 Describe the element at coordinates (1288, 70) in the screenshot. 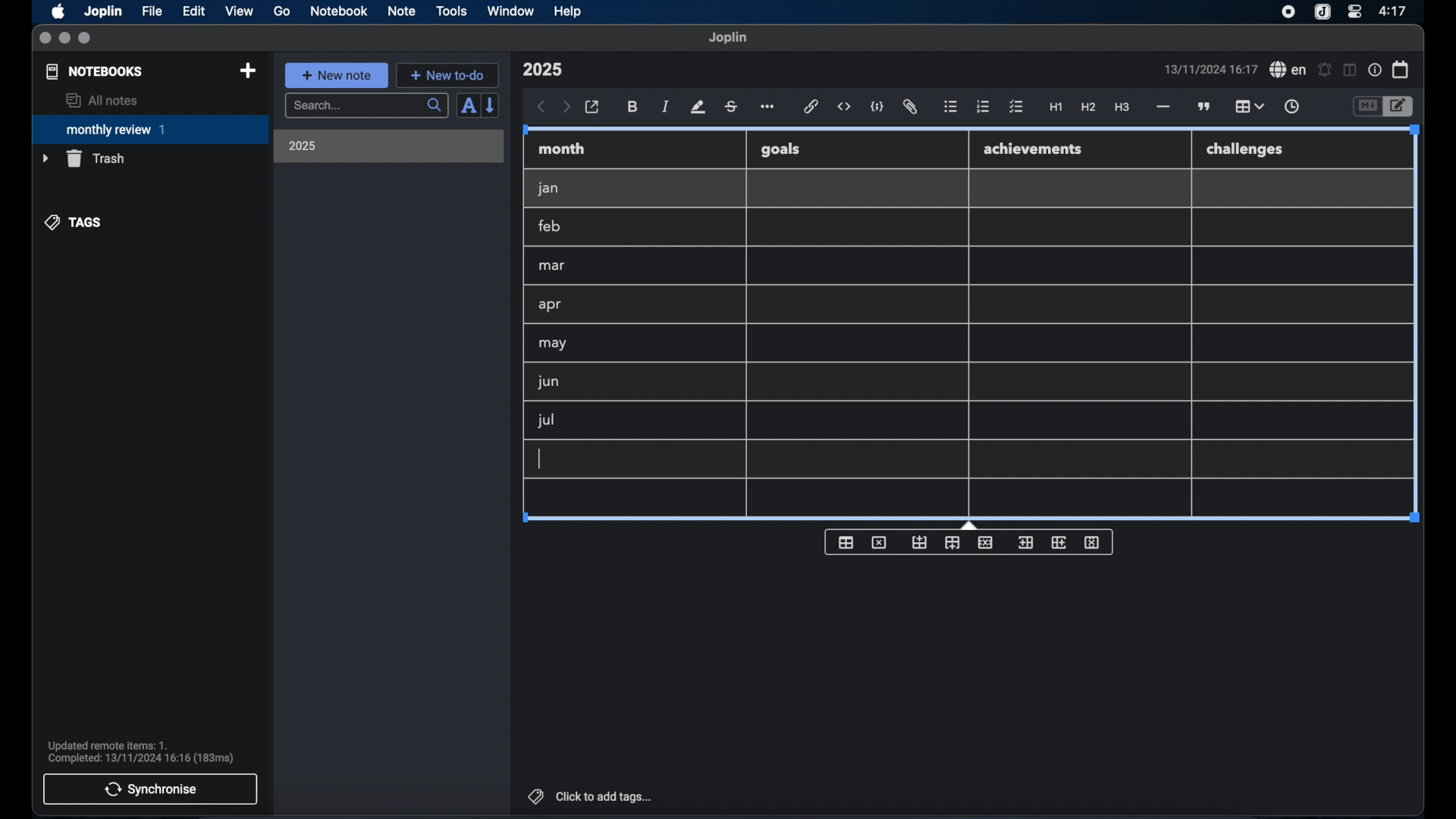

I see `spel check` at that location.